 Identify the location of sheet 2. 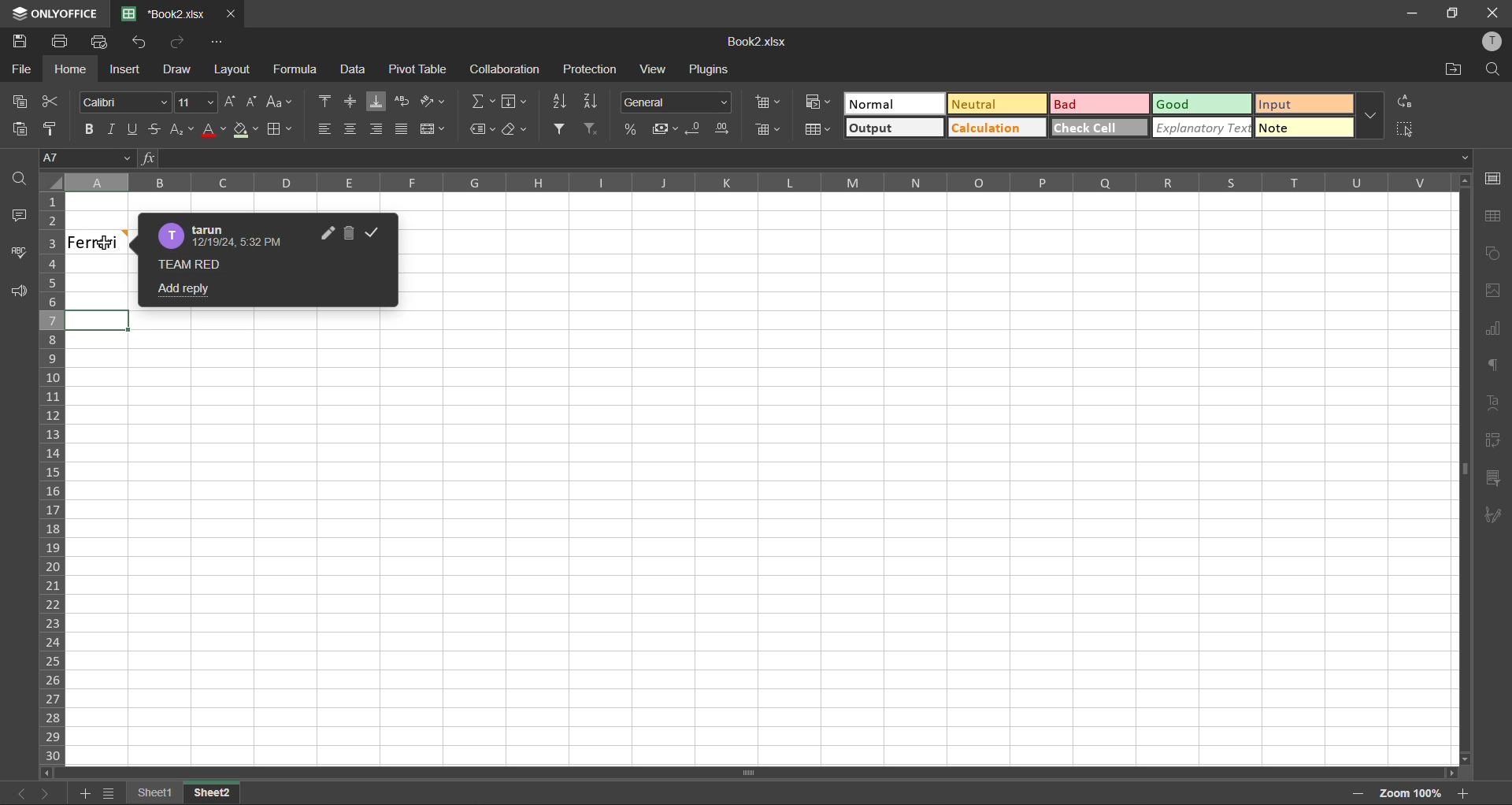
(221, 793).